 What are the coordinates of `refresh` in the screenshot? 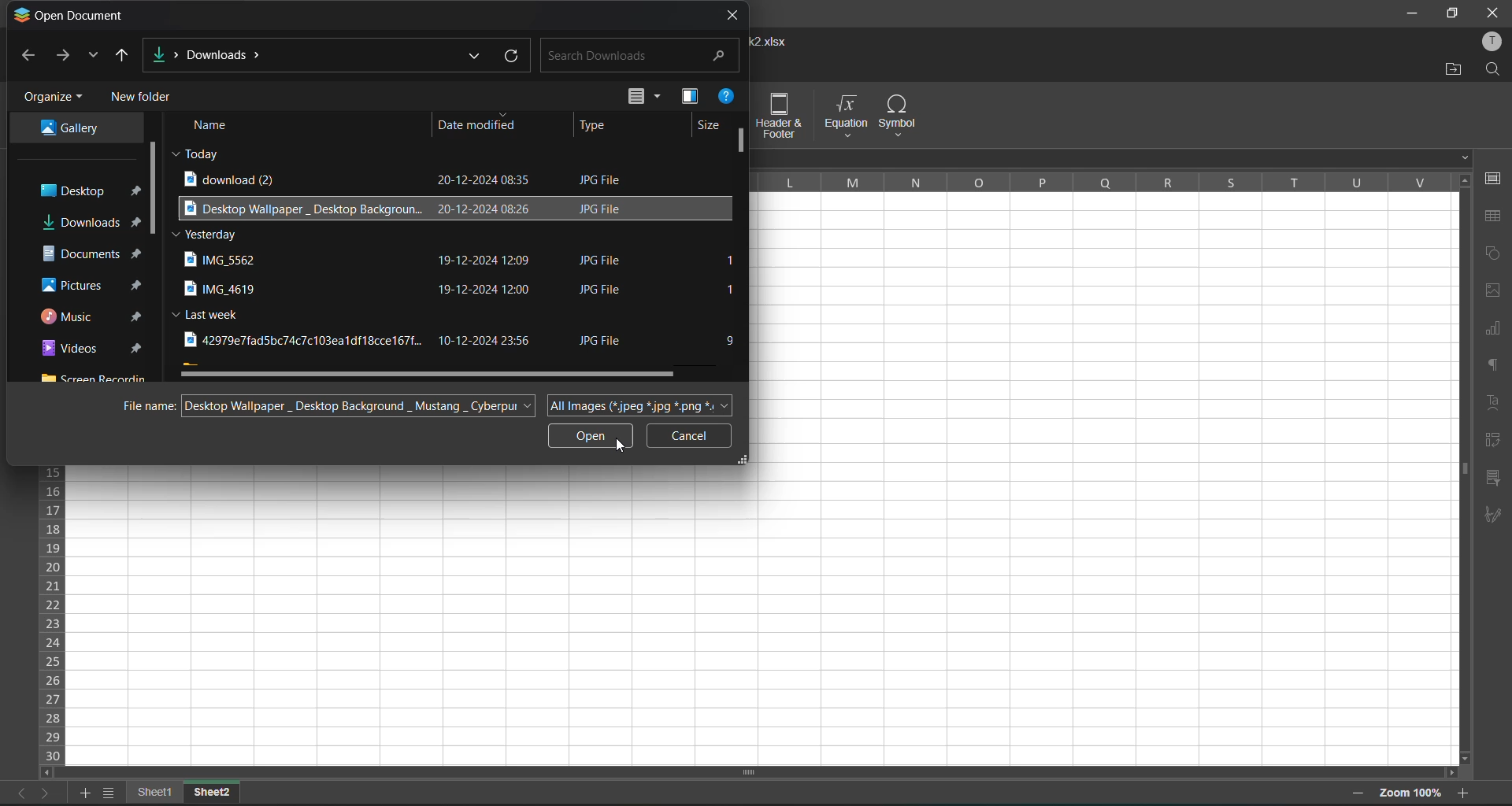 It's located at (512, 58).